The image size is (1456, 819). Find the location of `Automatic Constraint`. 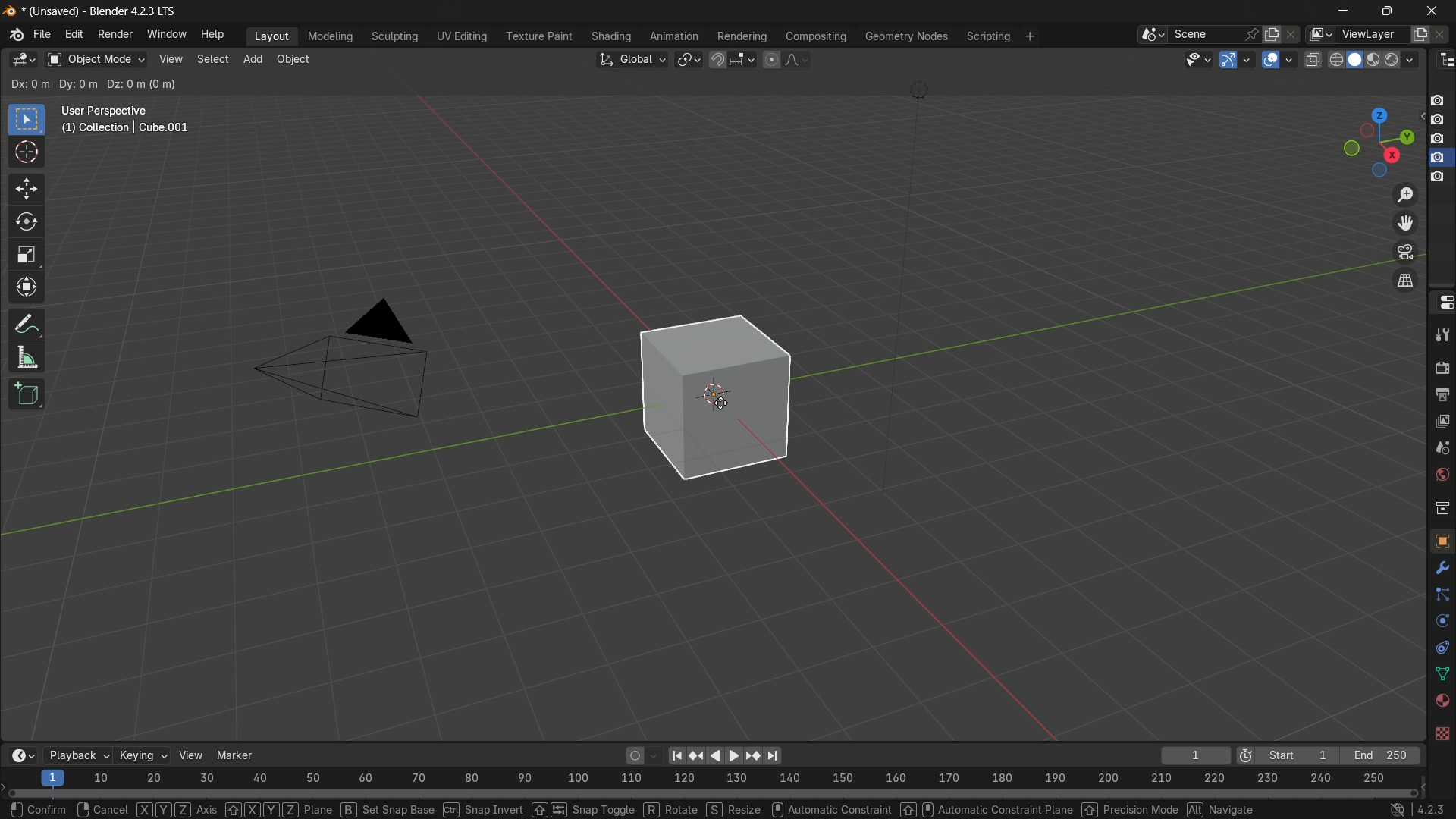

Automatic Constraint is located at coordinates (845, 809).